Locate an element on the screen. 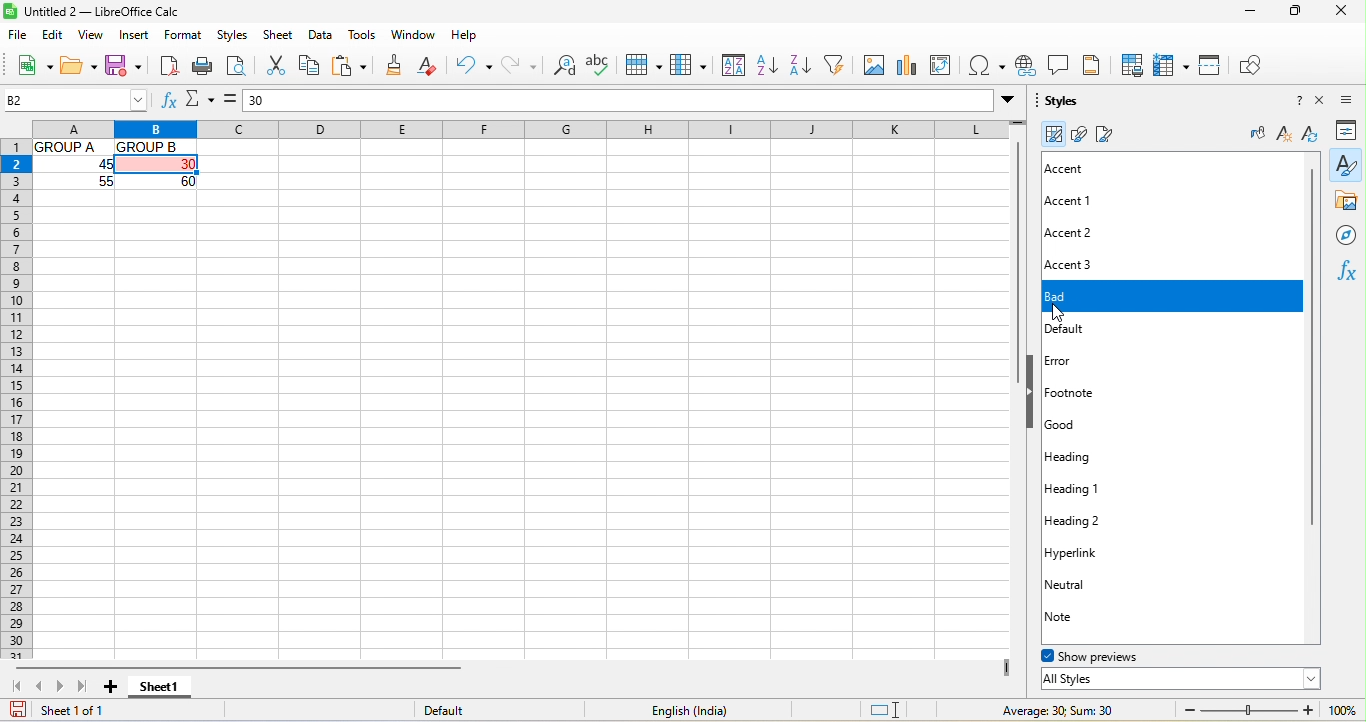 This screenshot has height=722, width=1366. accent is located at coordinates (1083, 169).